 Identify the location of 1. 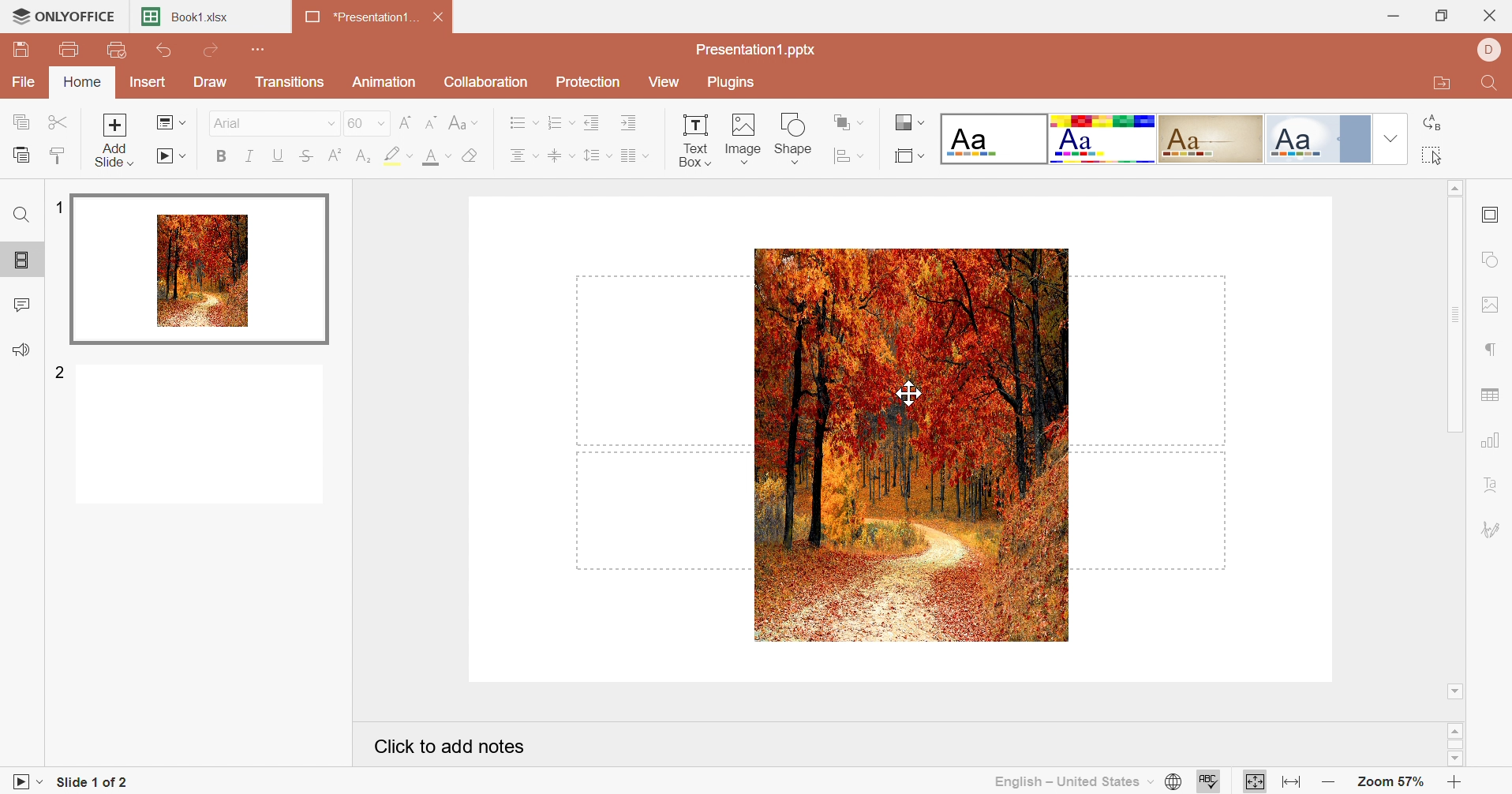
(59, 207).